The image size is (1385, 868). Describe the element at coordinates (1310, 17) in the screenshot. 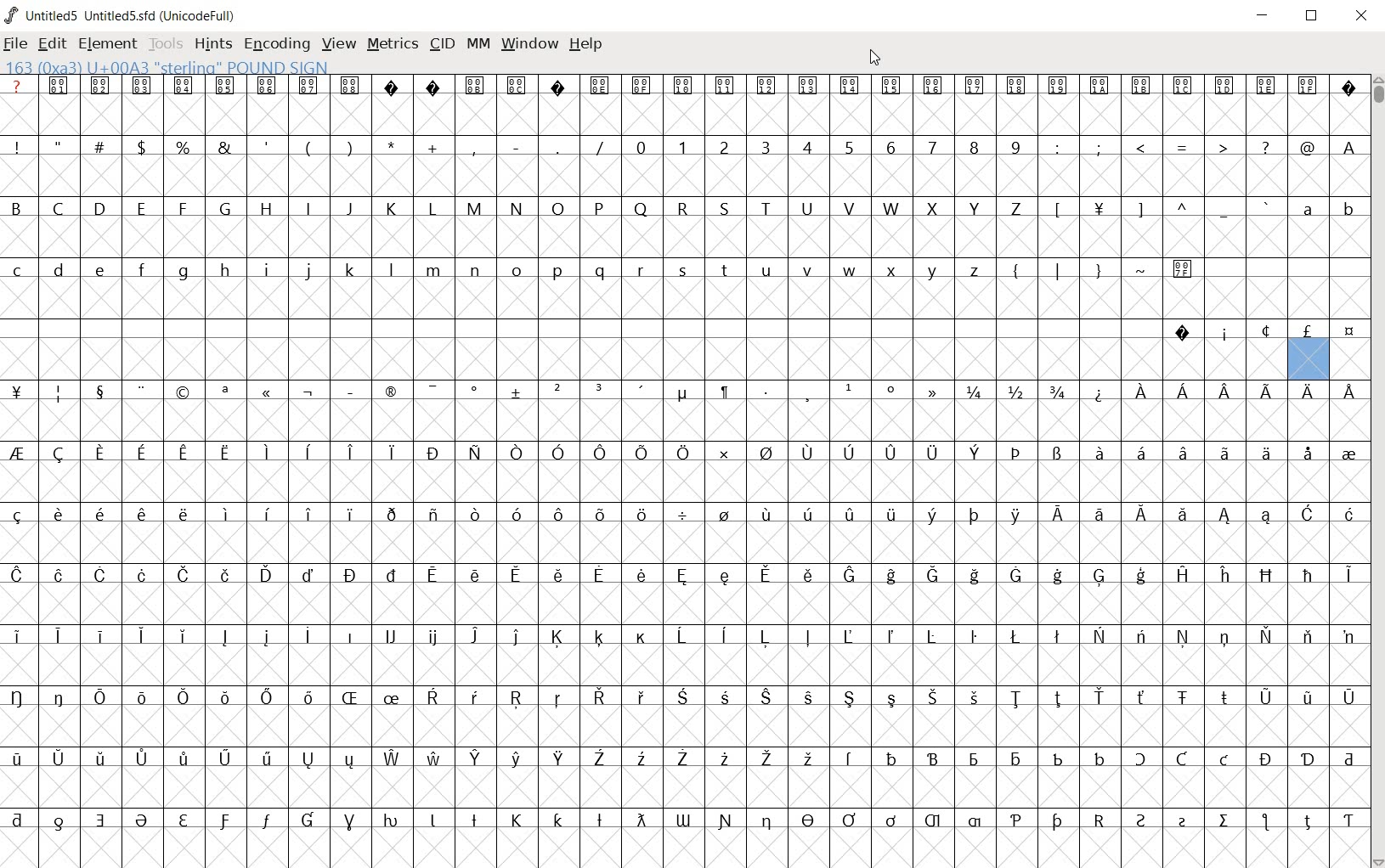

I see `maximize` at that location.